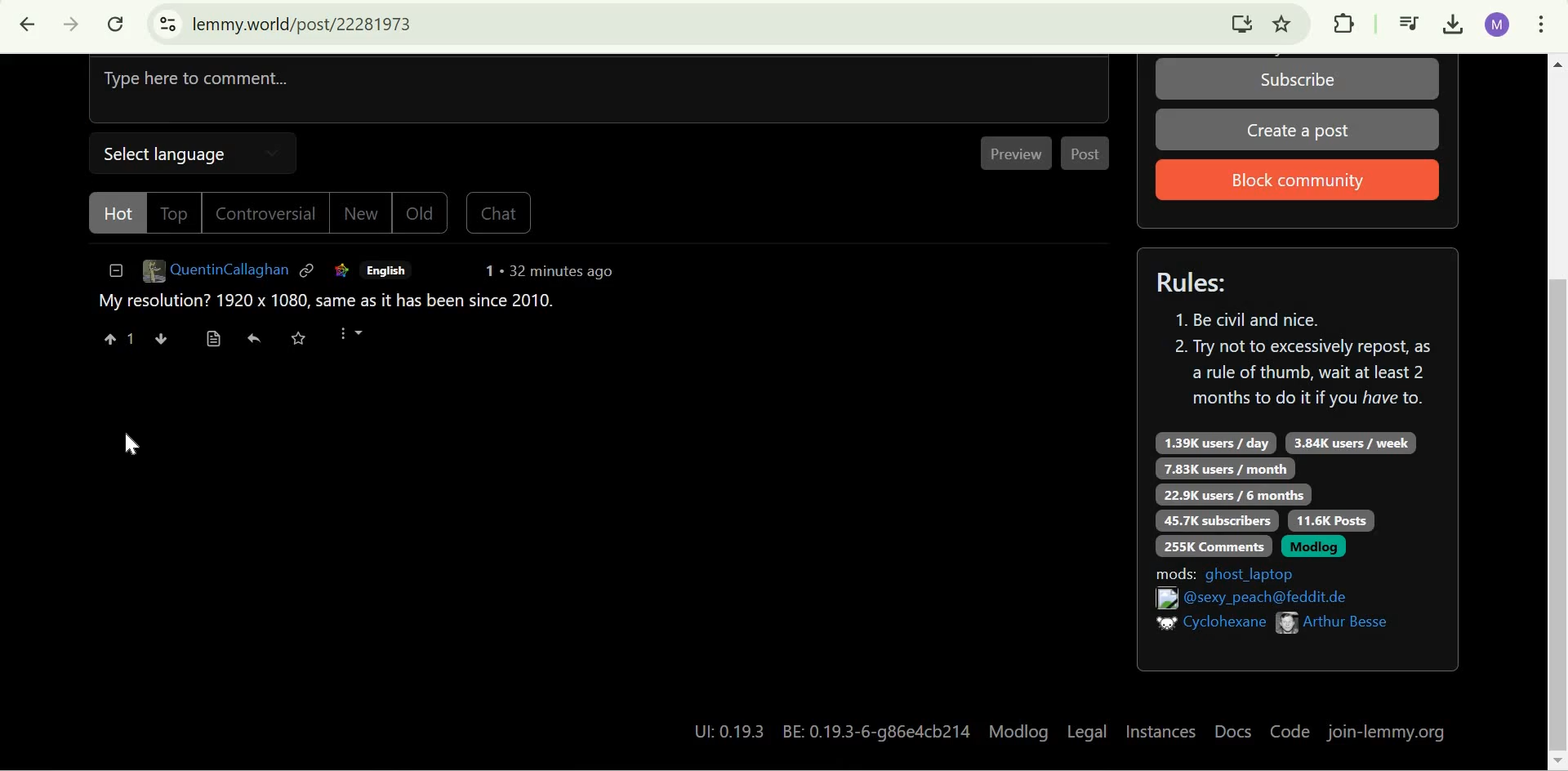  I want to click on English, so click(392, 271).